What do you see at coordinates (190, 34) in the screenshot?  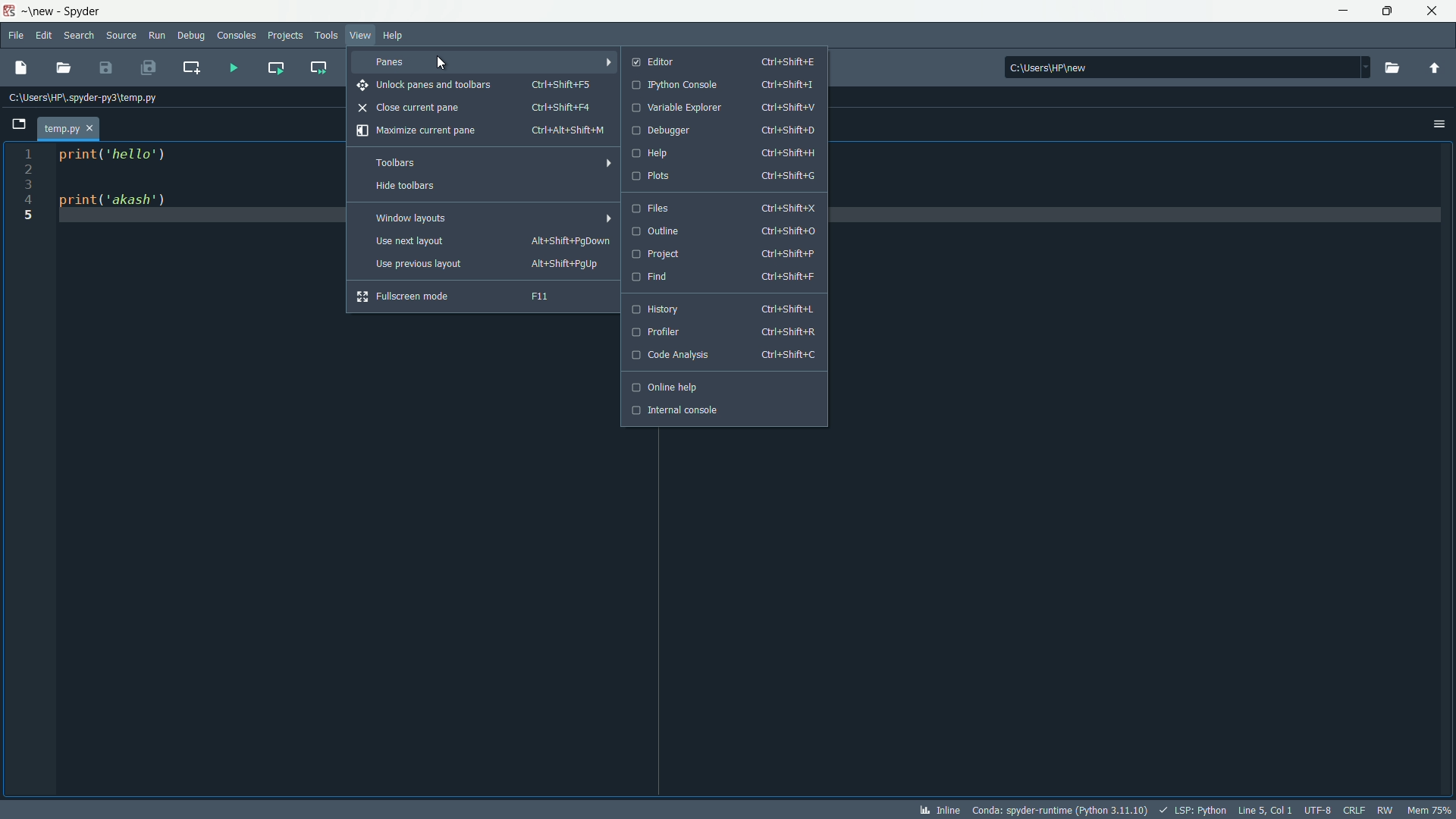 I see `debug menu` at bounding box center [190, 34].